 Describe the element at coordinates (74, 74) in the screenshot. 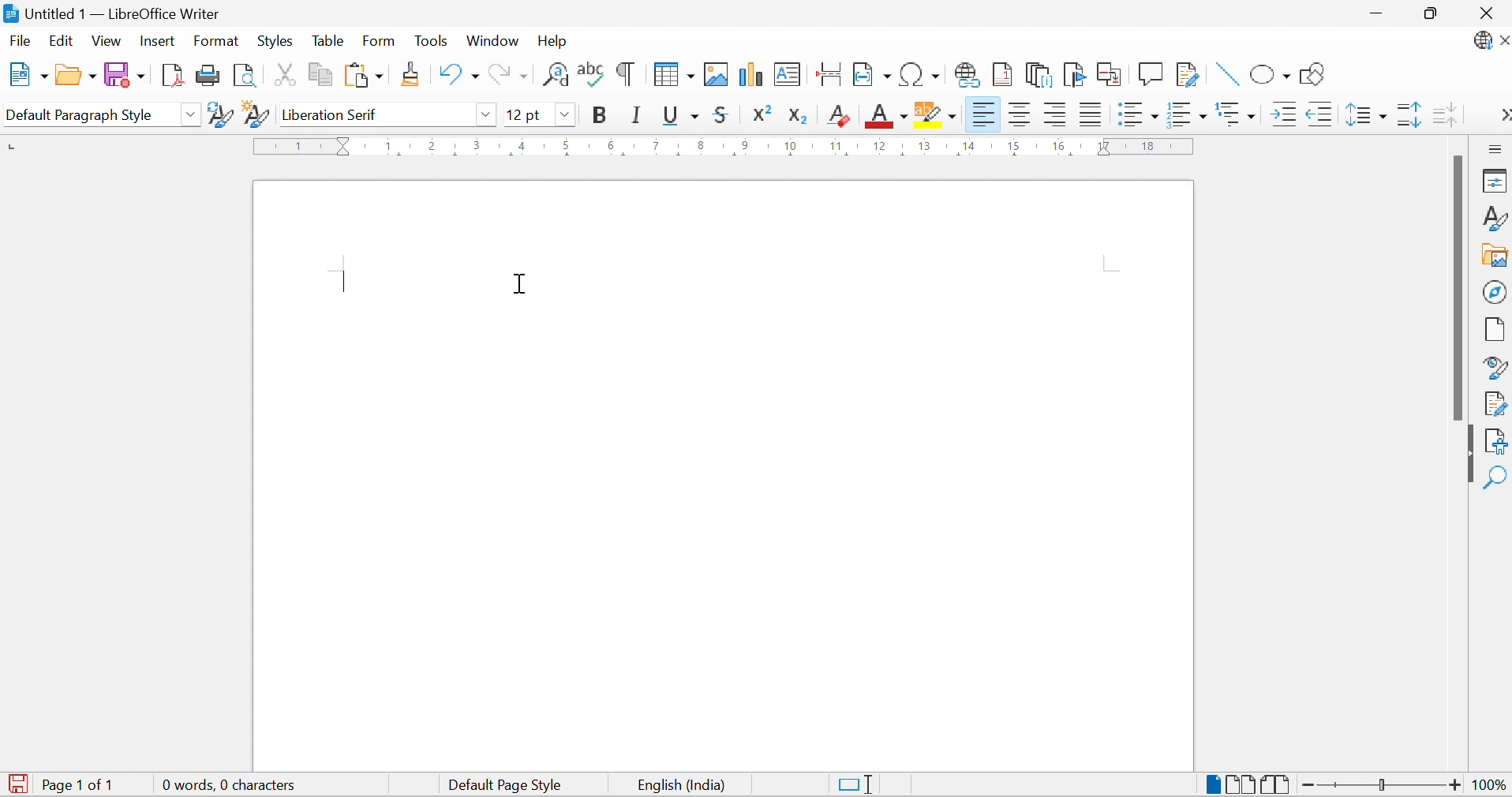

I see `Open` at that location.